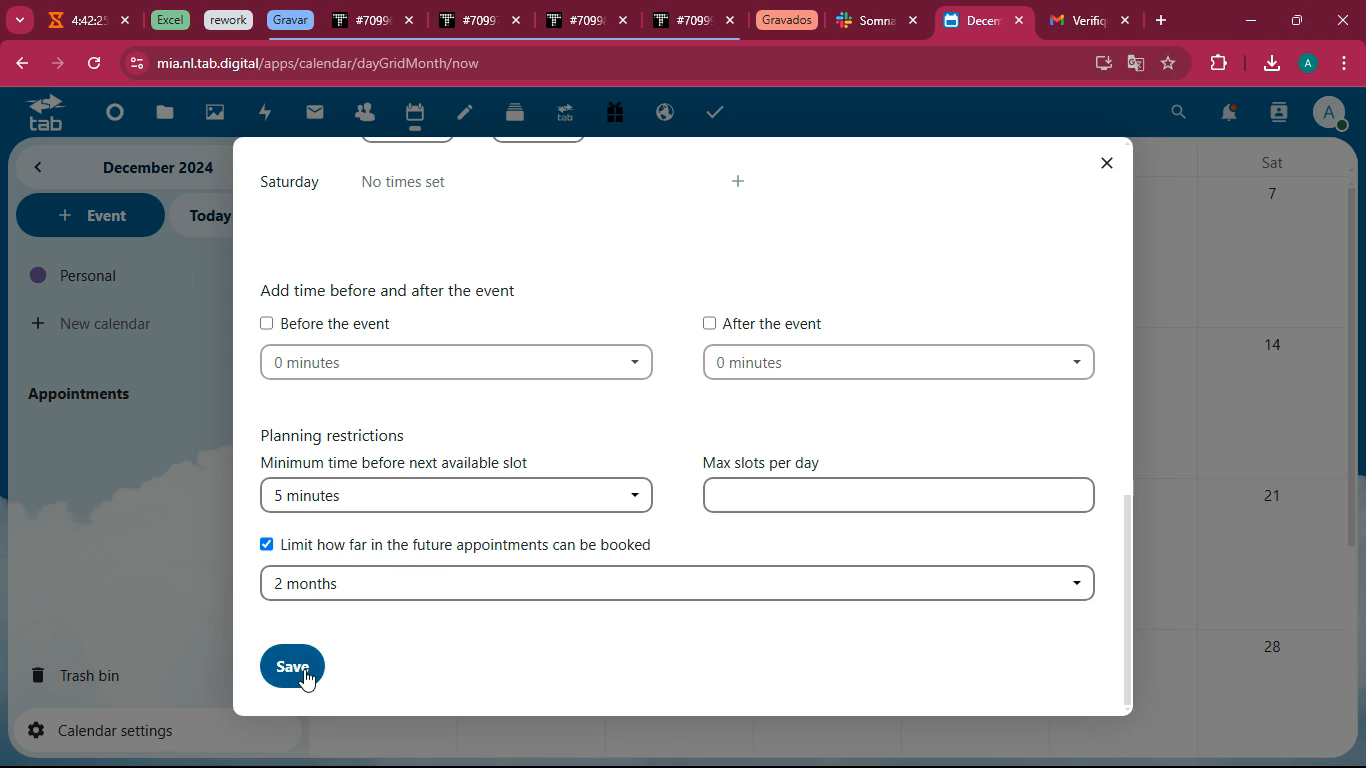 This screenshot has height=768, width=1366. Describe the element at coordinates (1127, 21) in the screenshot. I see `close` at that location.